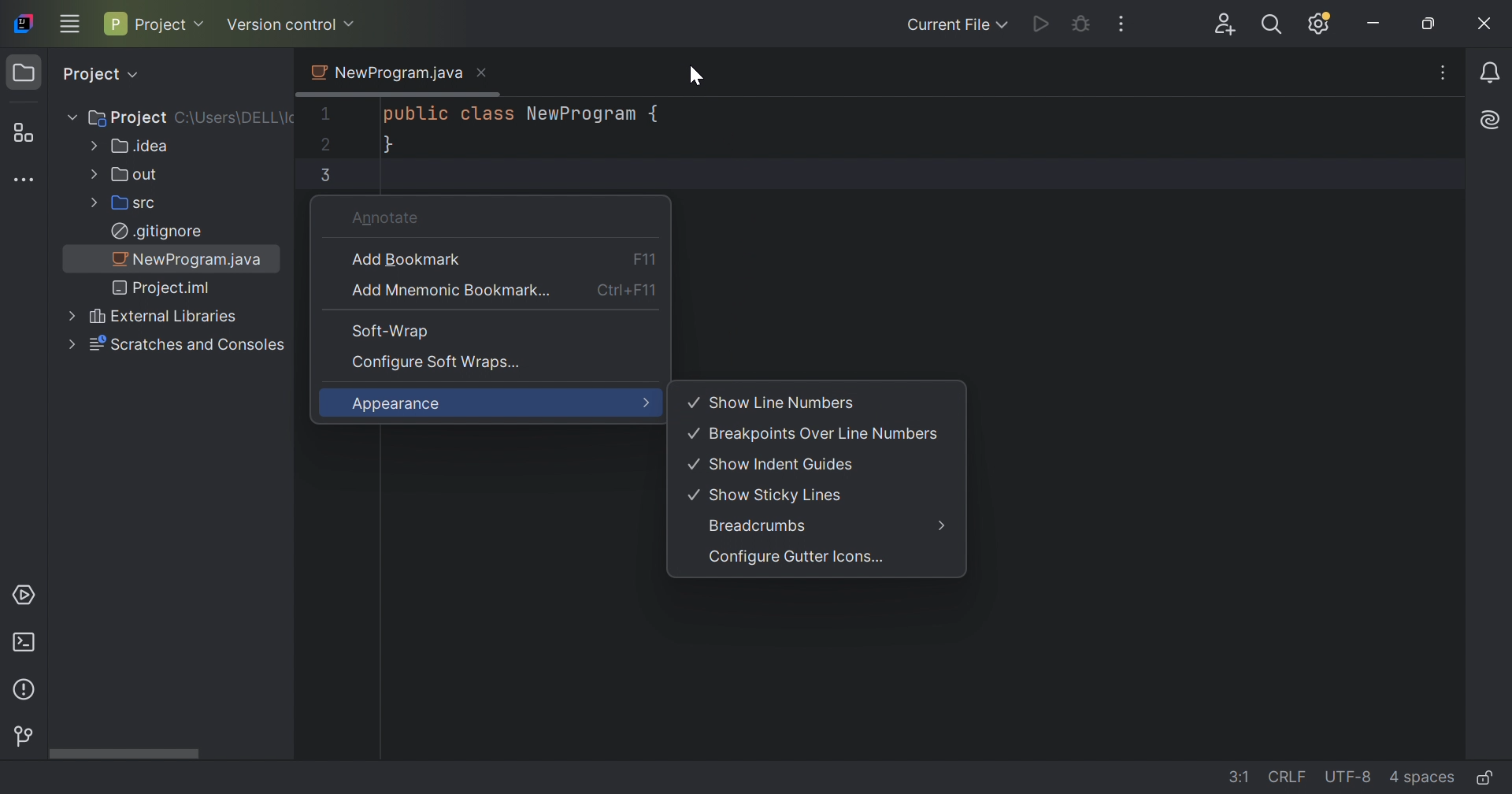 Image resolution: width=1512 pixels, height=794 pixels. I want to click on Code with me, so click(1225, 25).